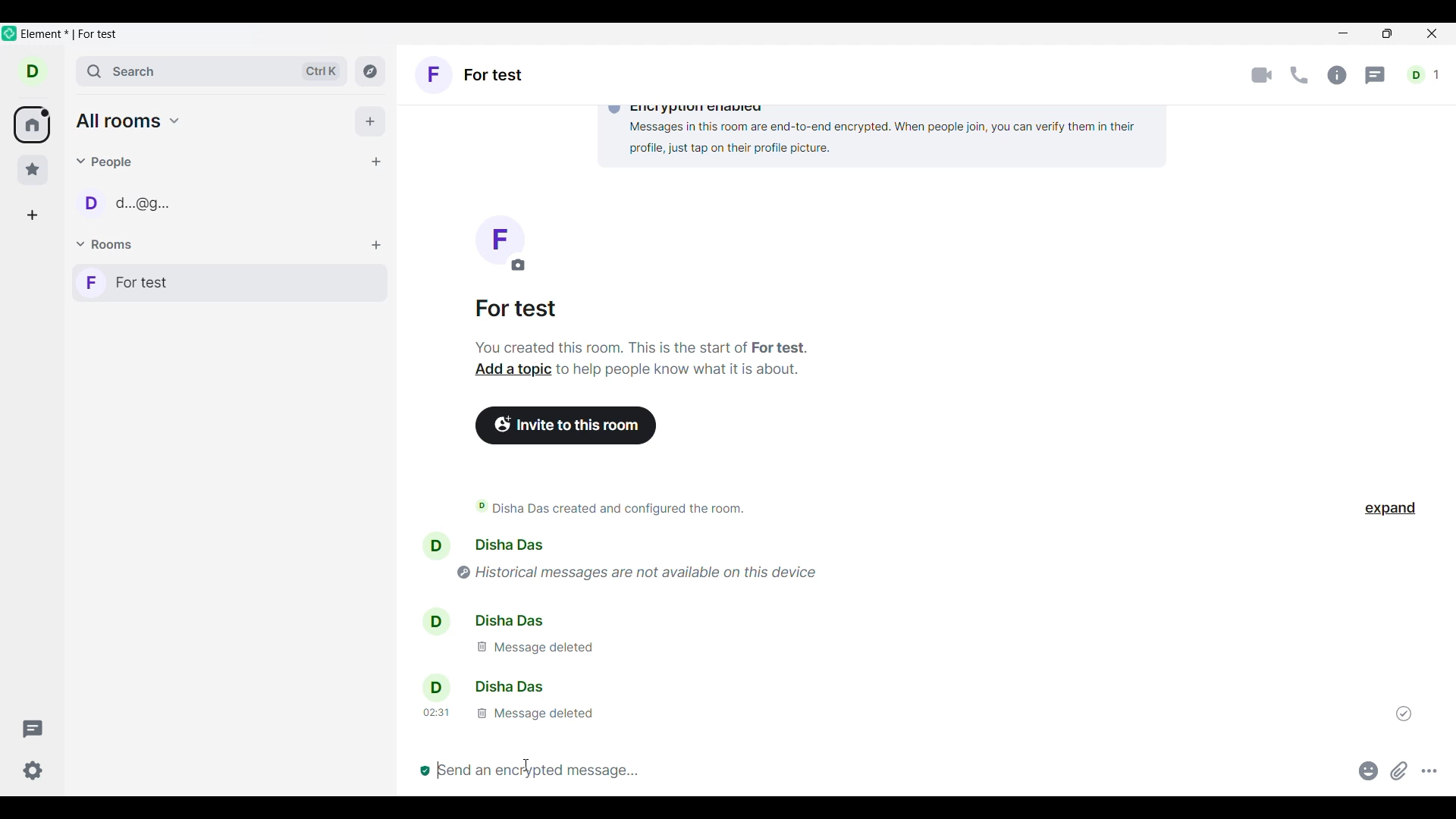 The image size is (1456, 819). Describe the element at coordinates (515, 543) in the screenshot. I see `disha das` at that location.